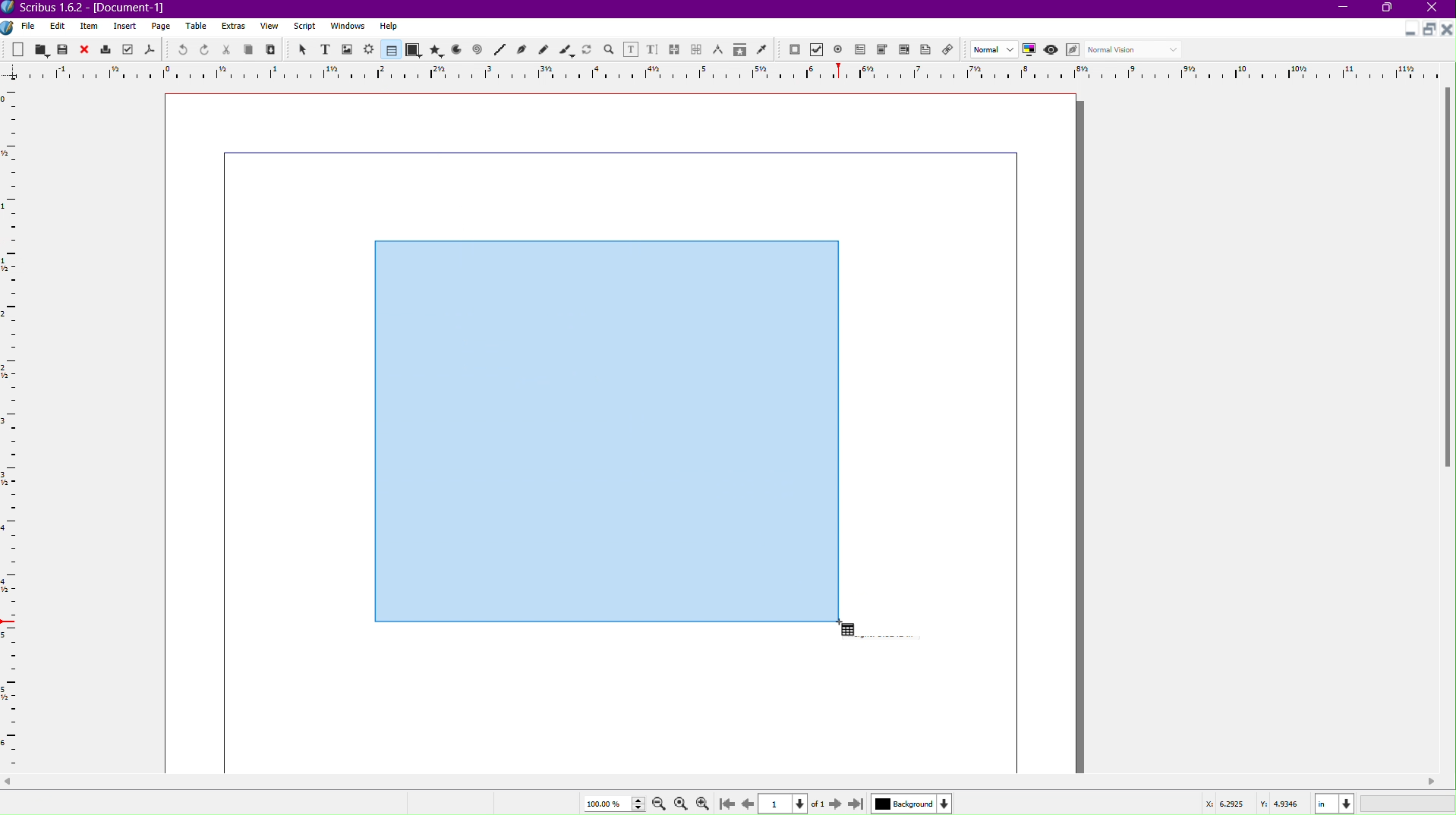 The image size is (1456, 815). I want to click on PDF List Box, so click(903, 52).